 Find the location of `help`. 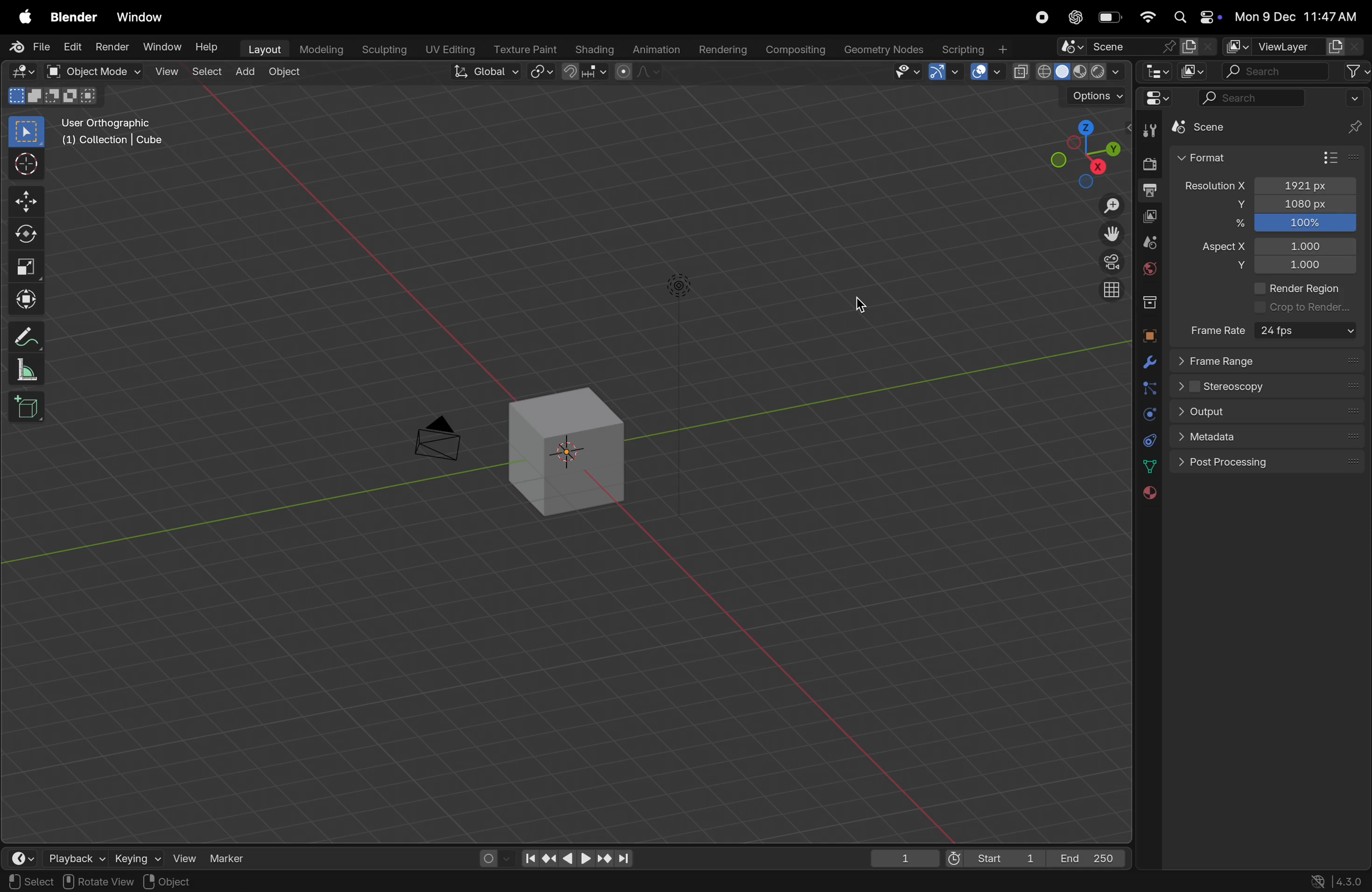

help is located at coordinates (207, 47).